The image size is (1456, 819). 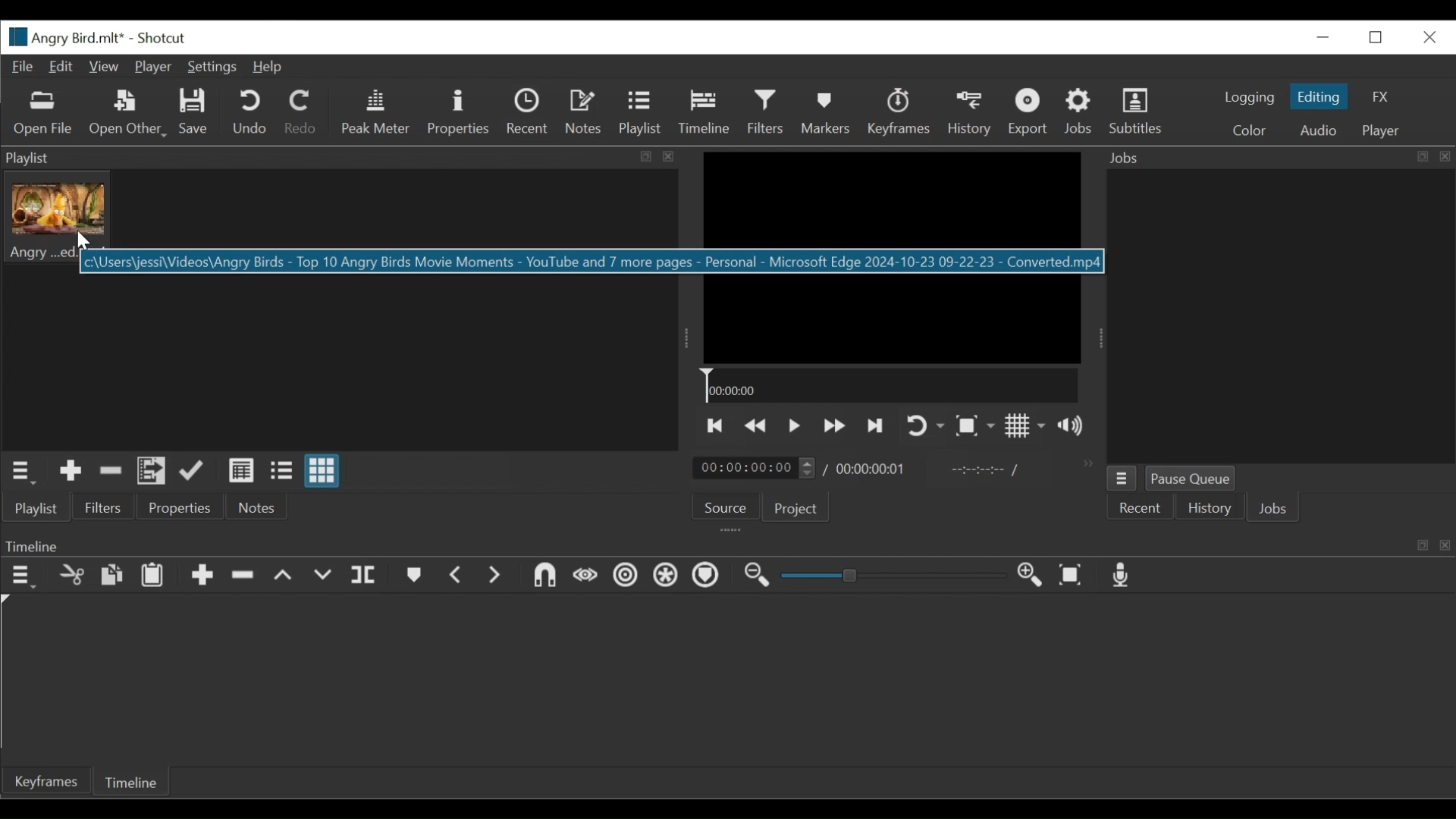 What do you see at coordinates (498, 578) in the screenshot?
I see `next` at bounding box center [498, 578].